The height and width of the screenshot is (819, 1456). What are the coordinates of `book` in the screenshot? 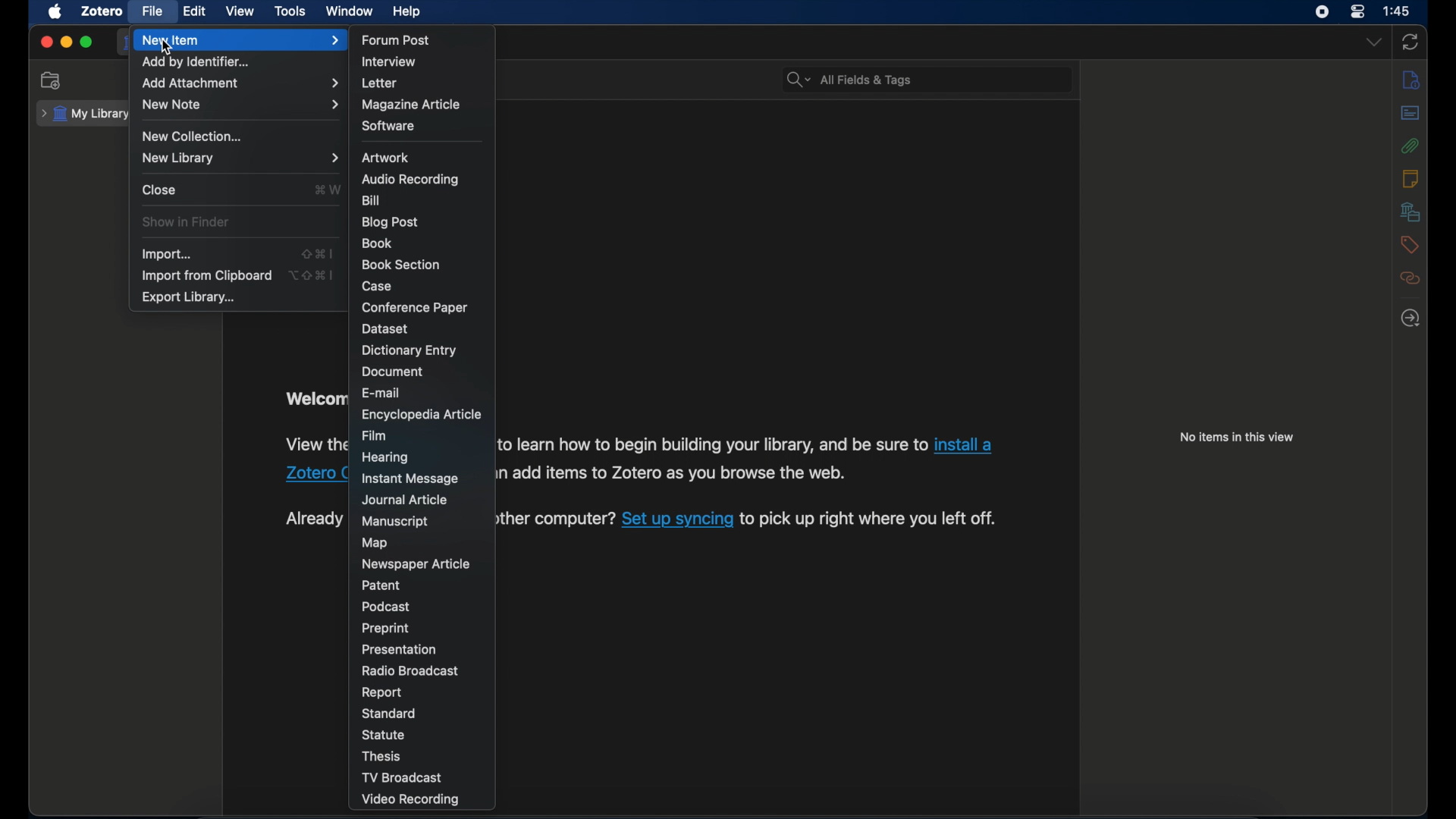 It's located at (377, 243).